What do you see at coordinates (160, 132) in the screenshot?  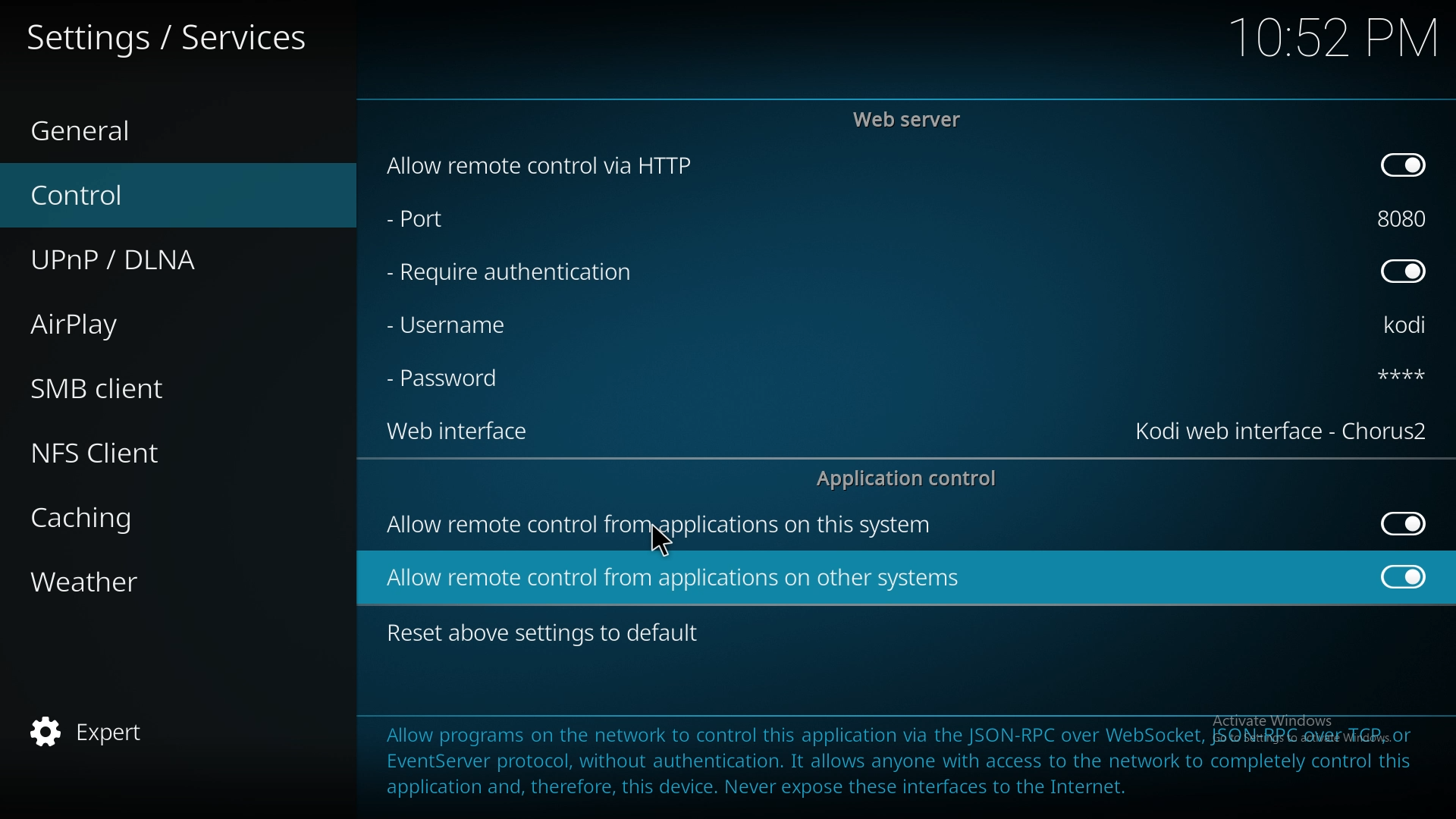 I see `general` at bounding box center [160, 132].